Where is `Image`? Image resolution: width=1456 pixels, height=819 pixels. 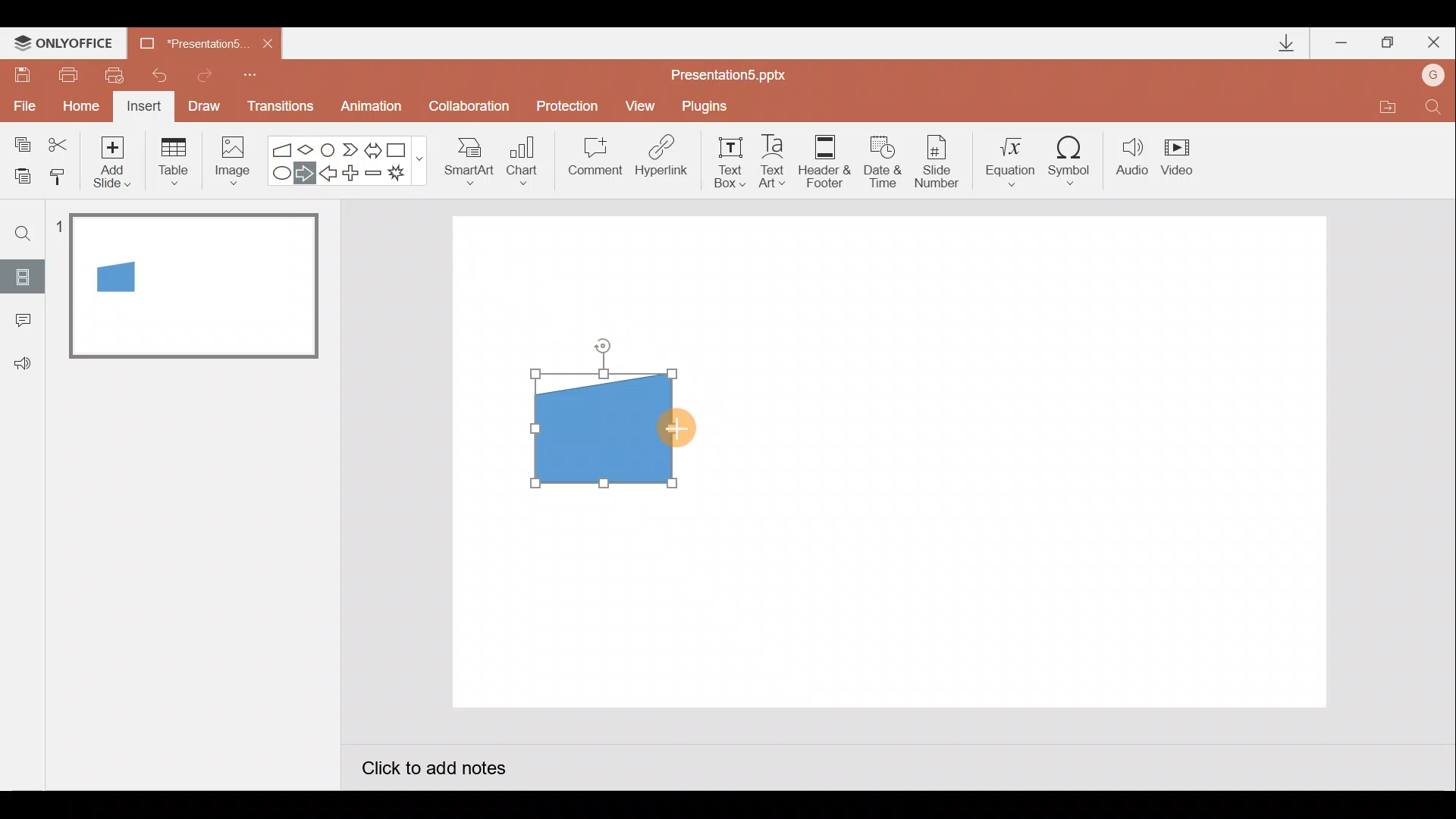
Image is located at coordinates (228, 160).